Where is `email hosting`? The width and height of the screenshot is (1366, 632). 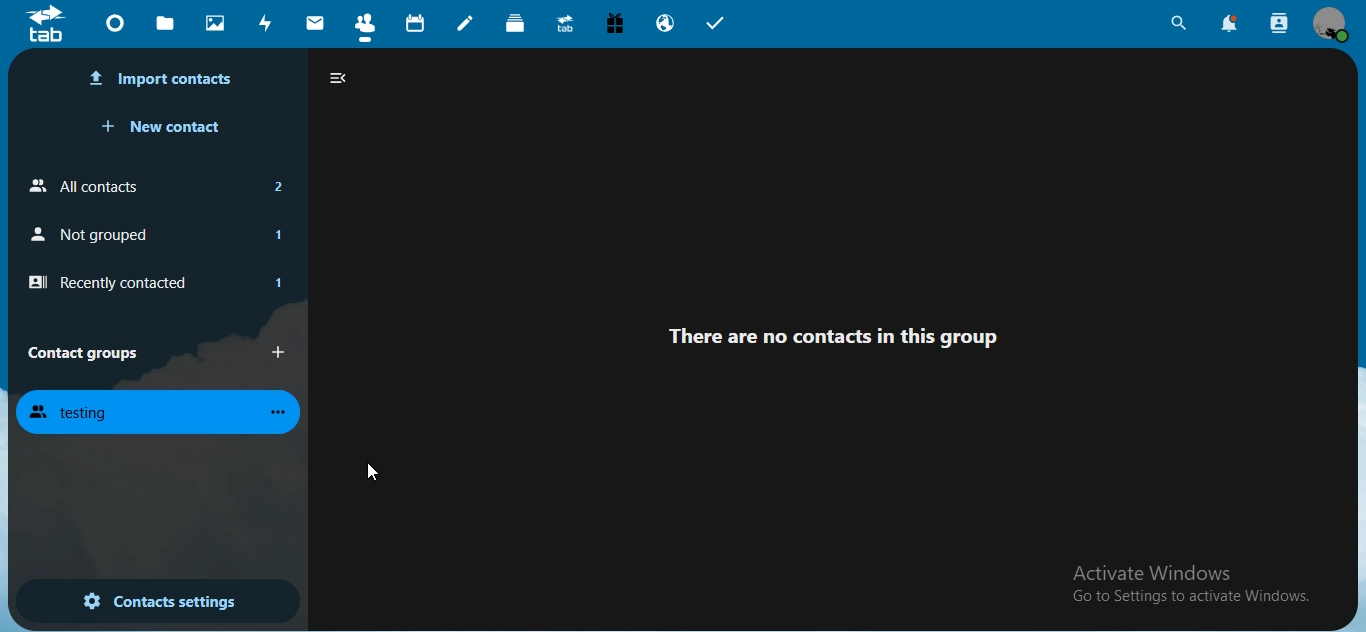
email hosting is located at coordinates (666, 23).